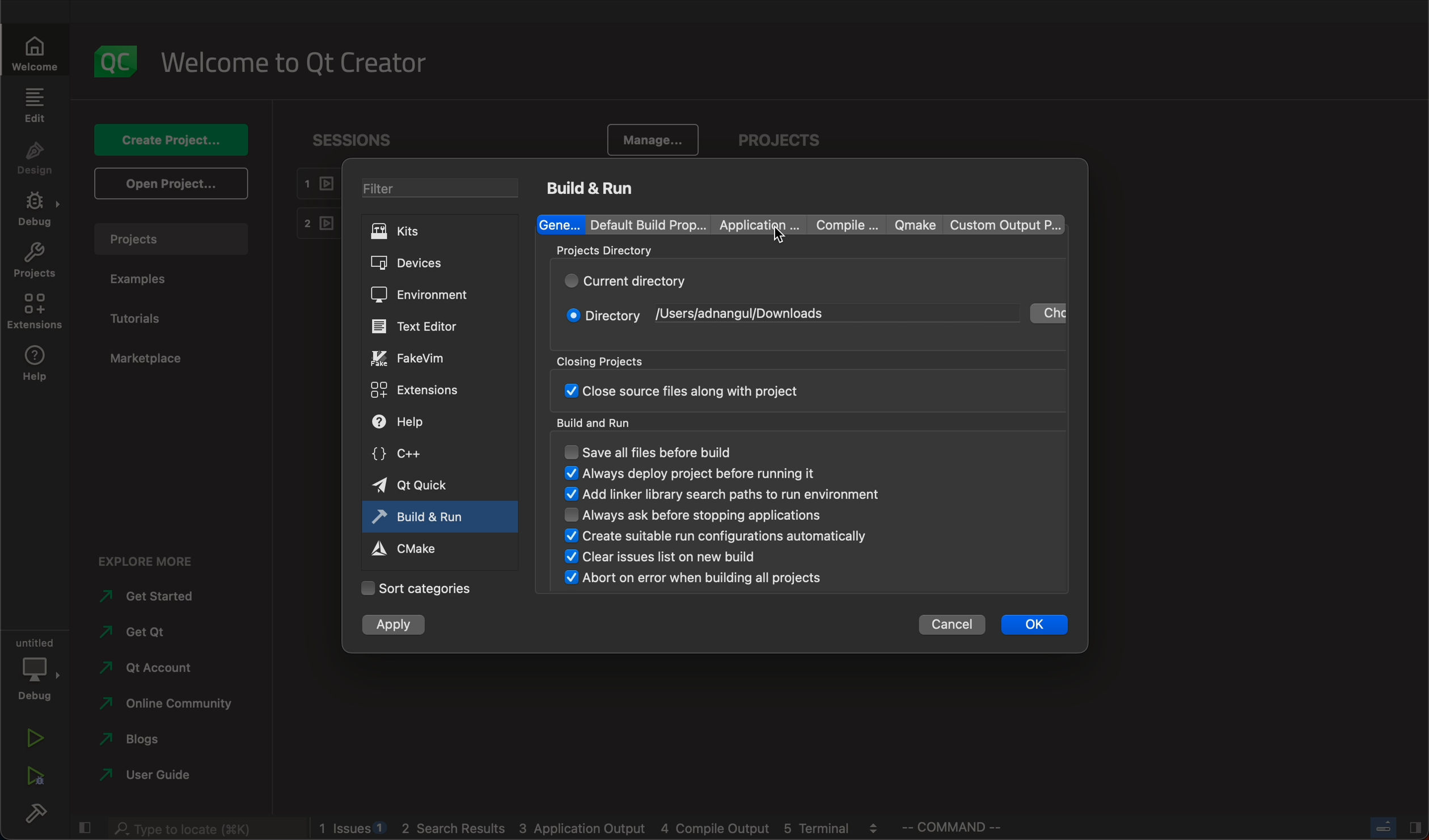  Describe the element at coordinates (30, 366) in the screenshot. I see `help` at that location.